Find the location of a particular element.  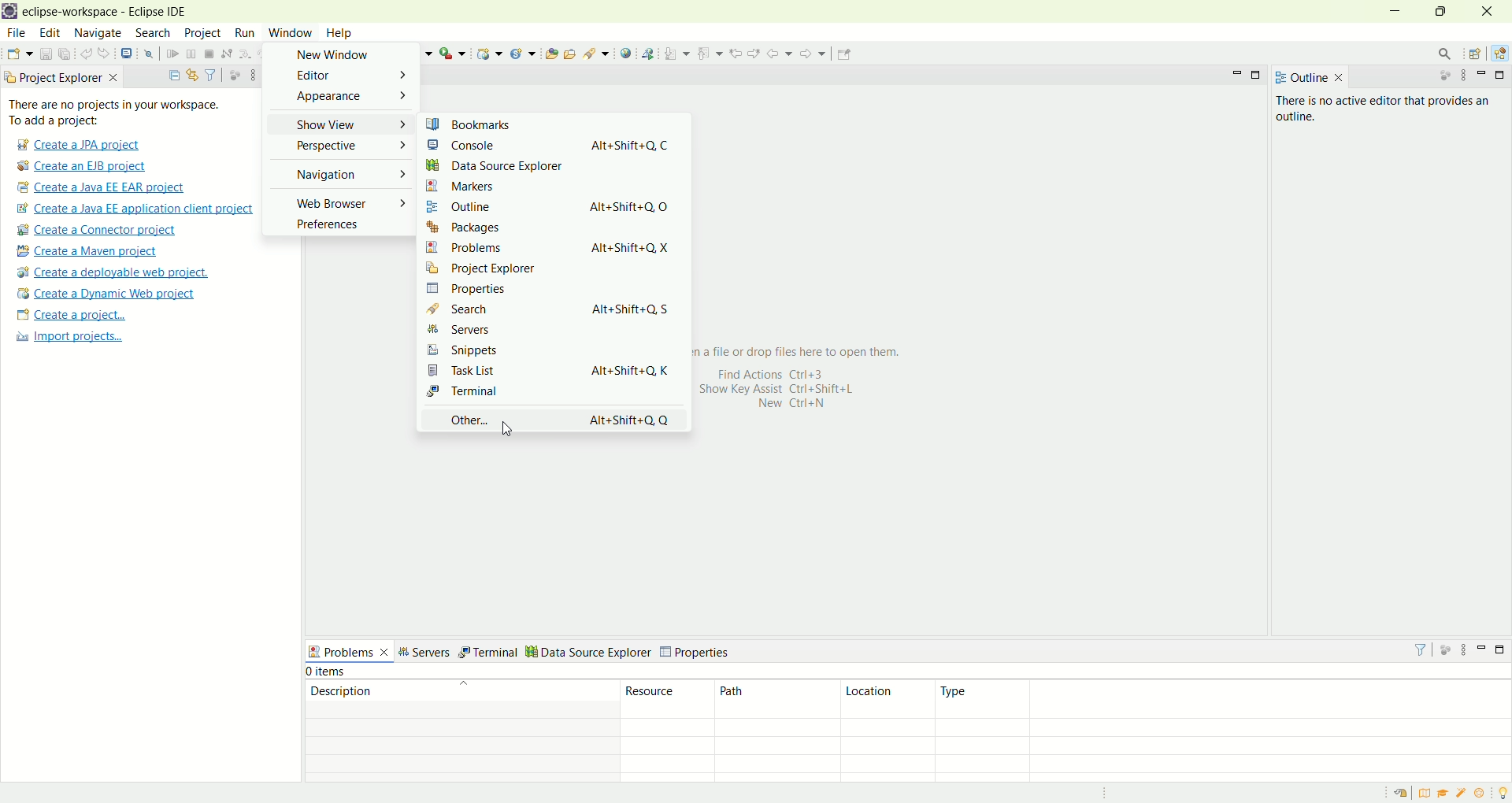

new window is located at coordinates (338, 56).